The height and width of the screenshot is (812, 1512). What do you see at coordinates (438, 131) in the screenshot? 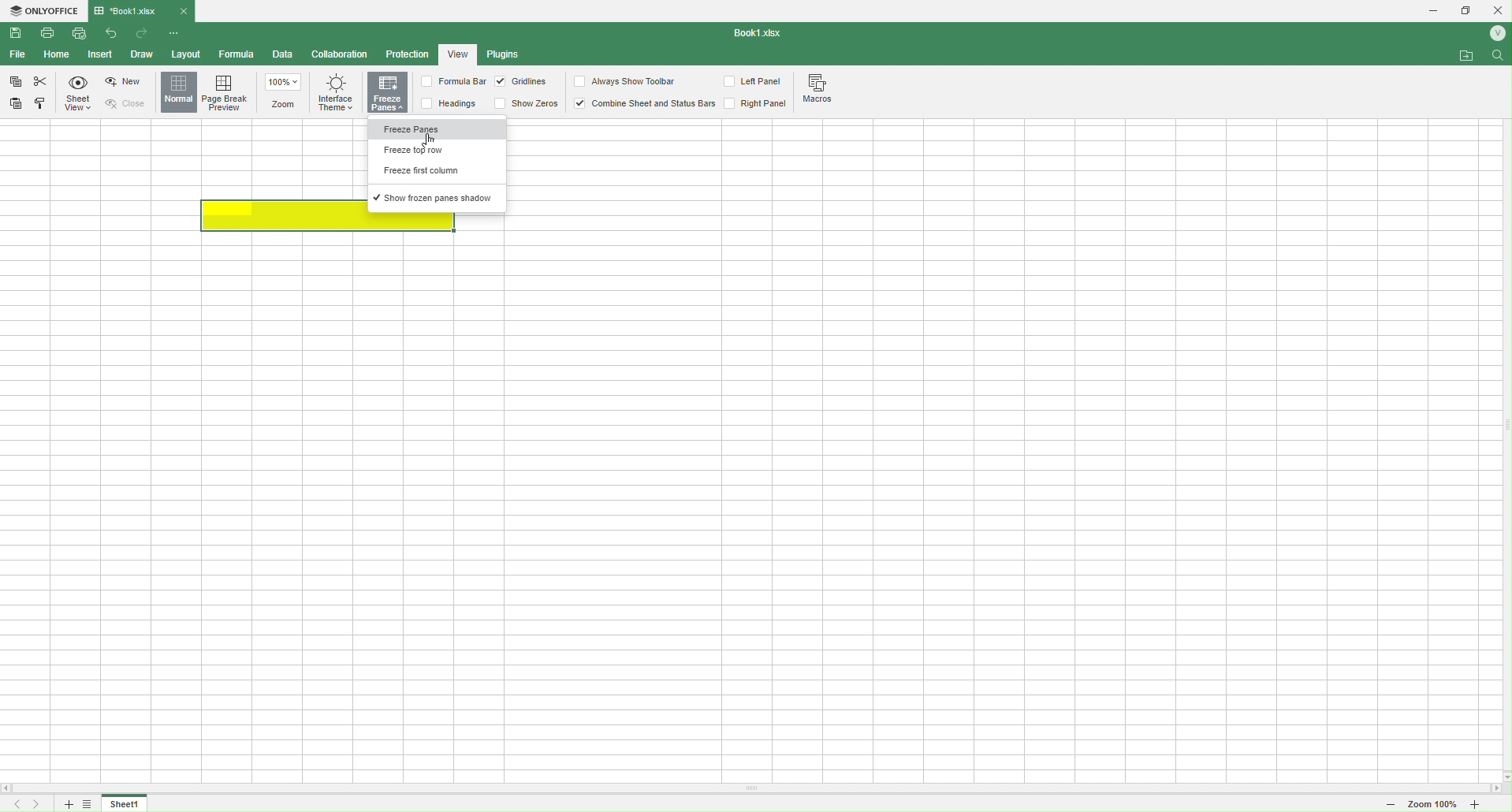
I see `Freeze Panes` at bounding box center [438, 131].